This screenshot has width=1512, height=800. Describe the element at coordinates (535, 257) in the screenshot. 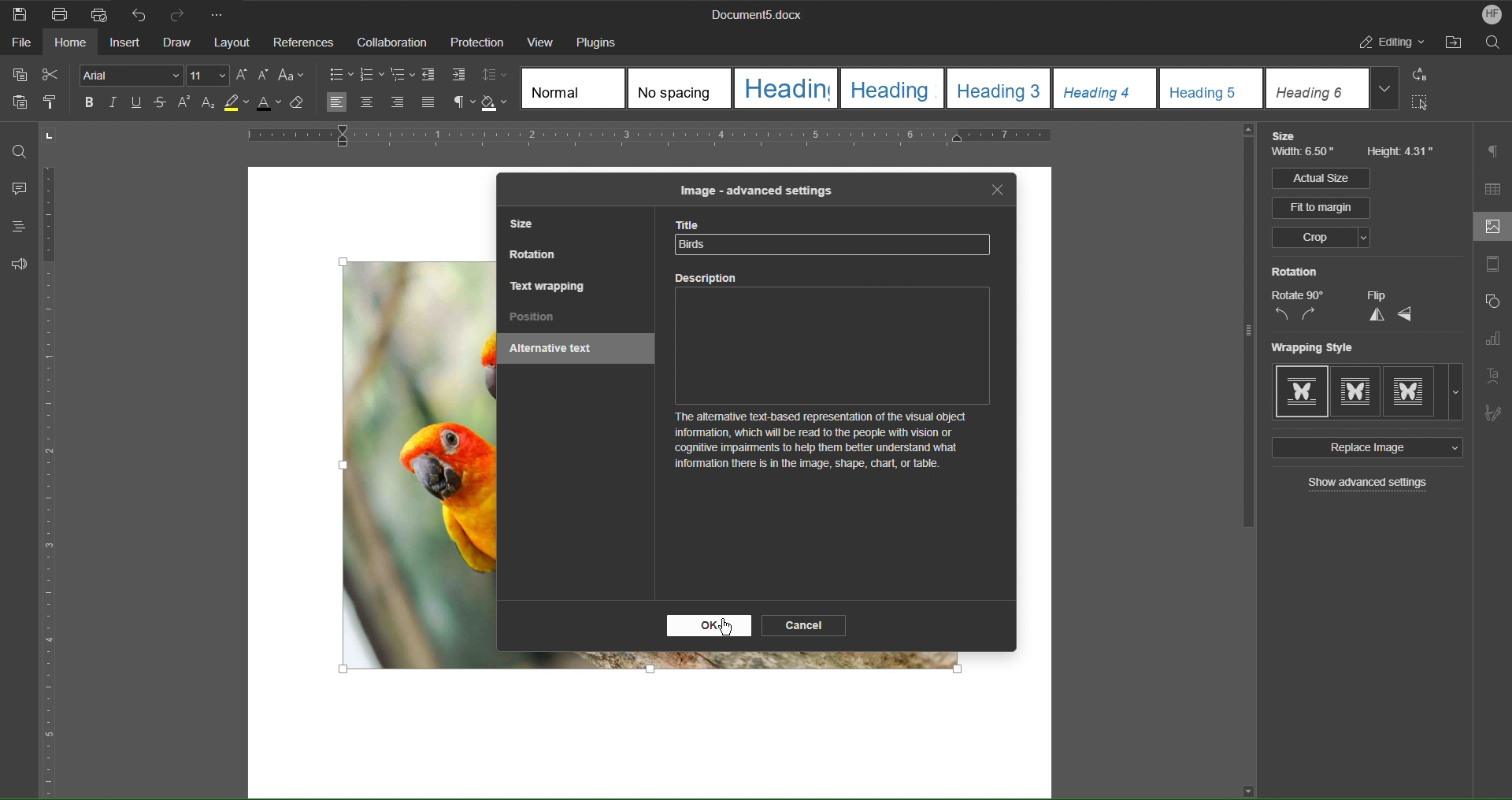

I see `Rotation` at that location.